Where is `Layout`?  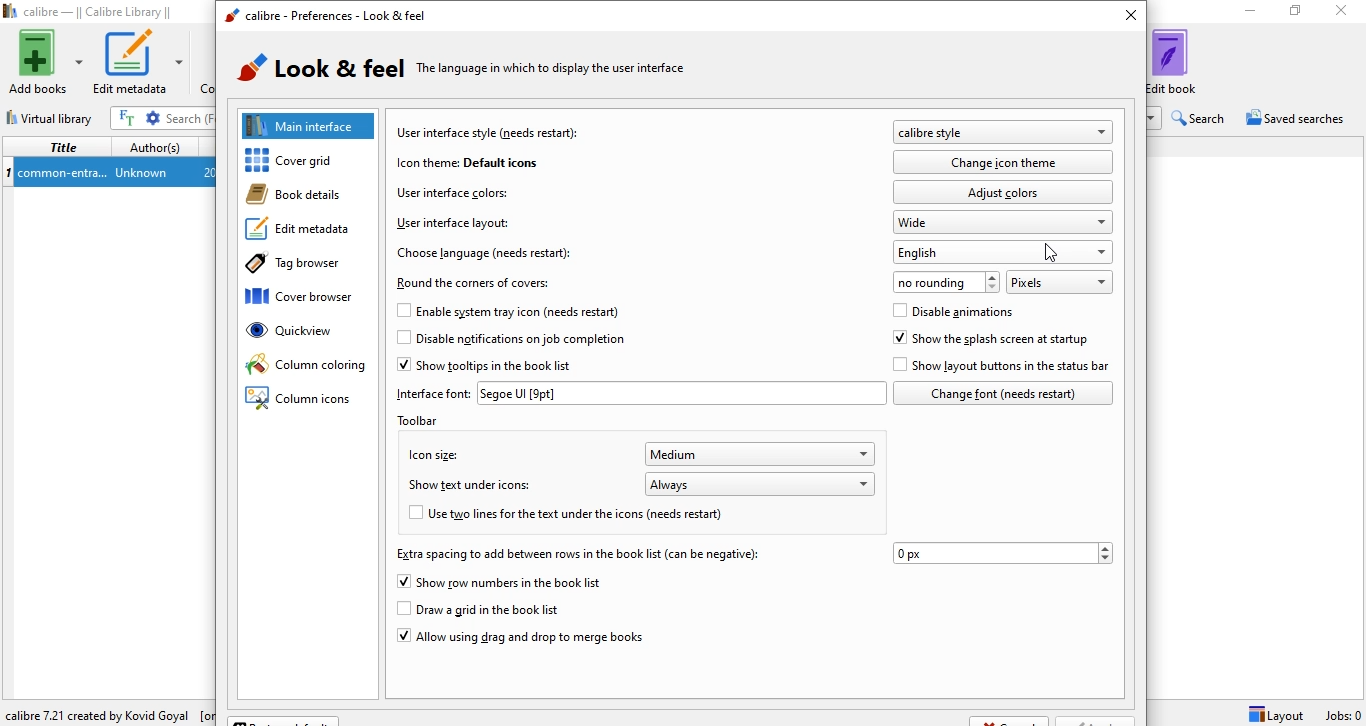 Layout is located at coordinates (1276, 714).